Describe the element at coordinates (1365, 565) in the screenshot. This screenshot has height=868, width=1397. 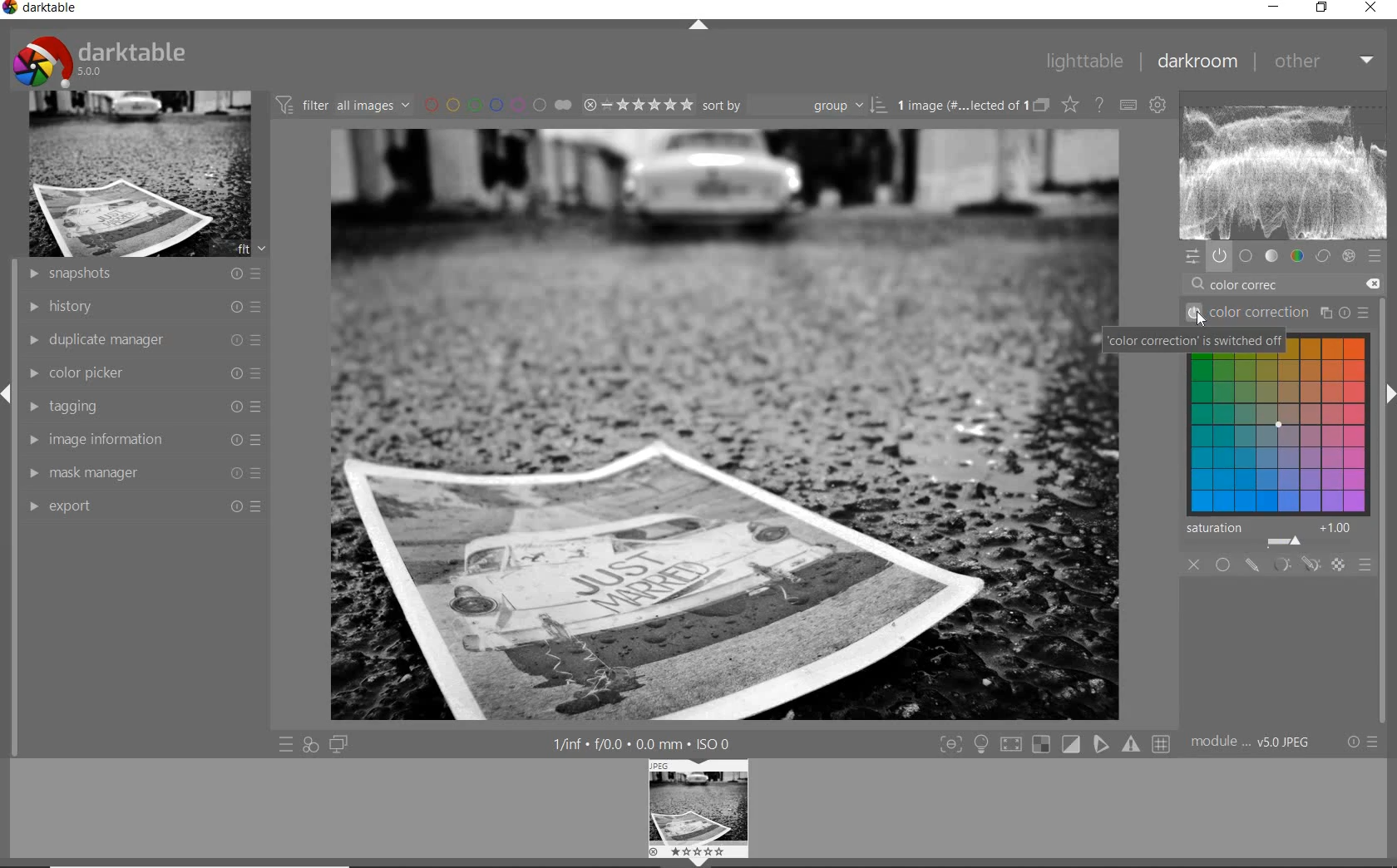
I see `blending options` at that location.